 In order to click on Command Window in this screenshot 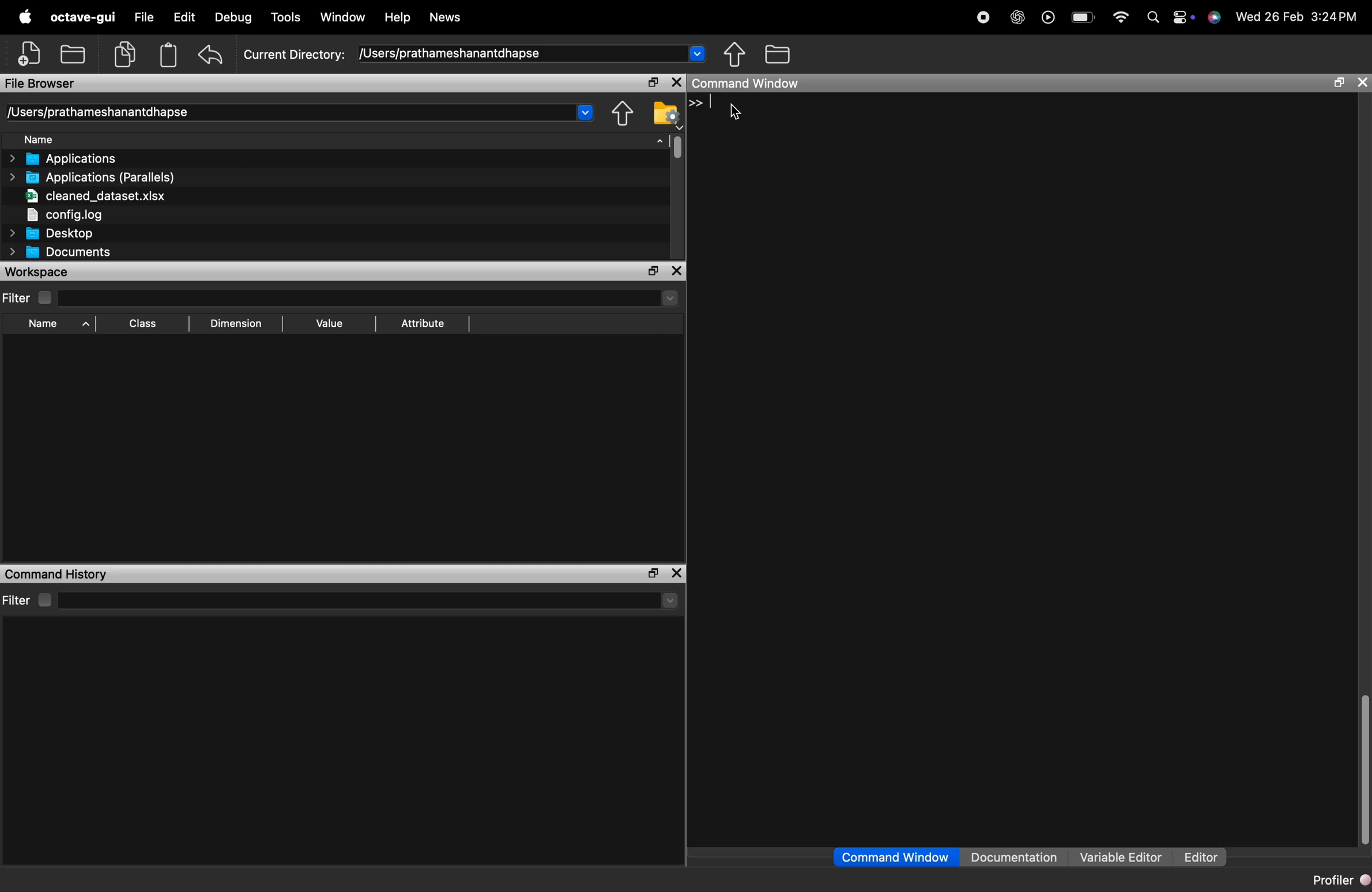, I will do `click(749, 83)`.